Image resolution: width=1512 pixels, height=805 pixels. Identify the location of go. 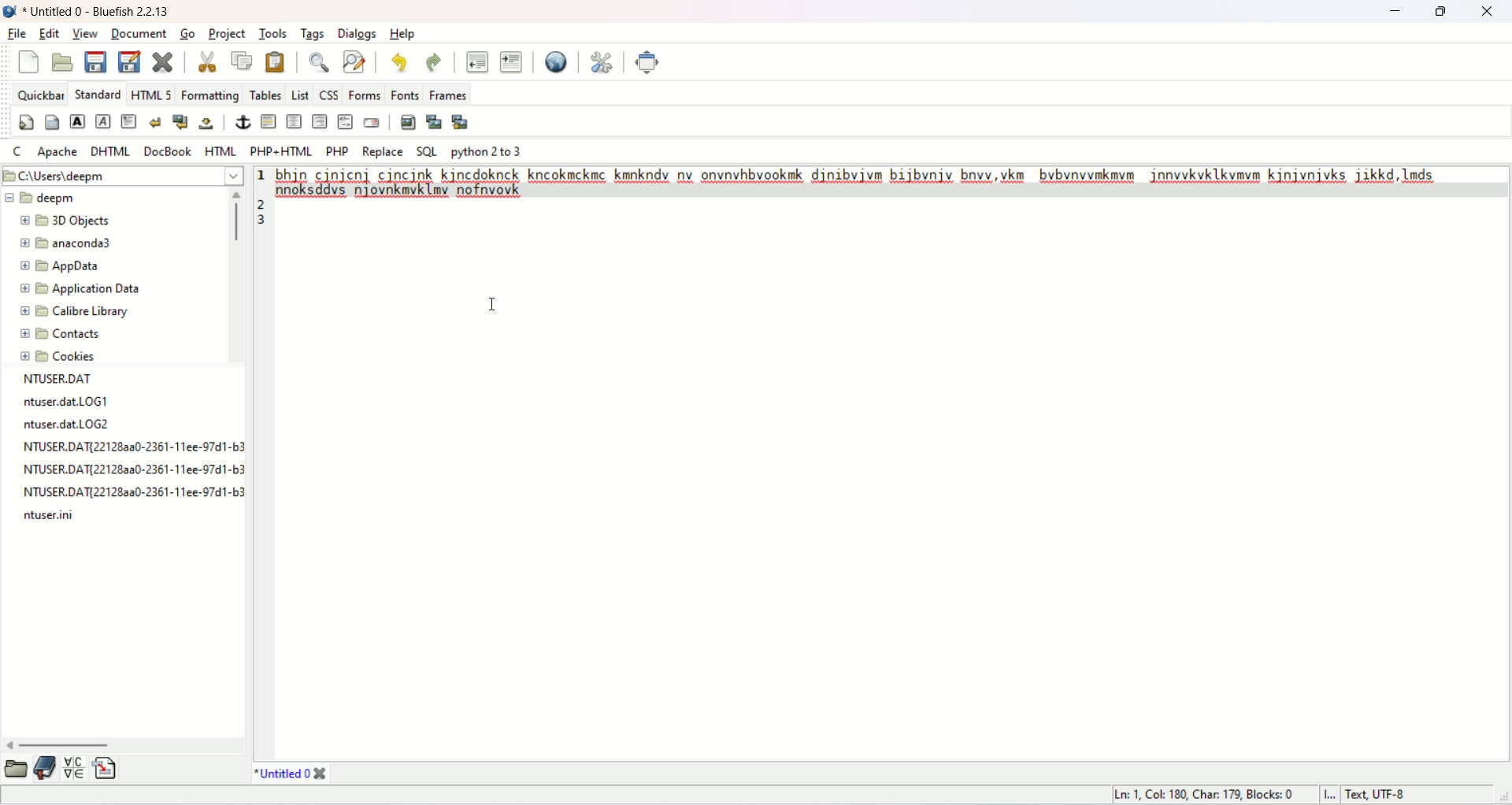
(191, 34).